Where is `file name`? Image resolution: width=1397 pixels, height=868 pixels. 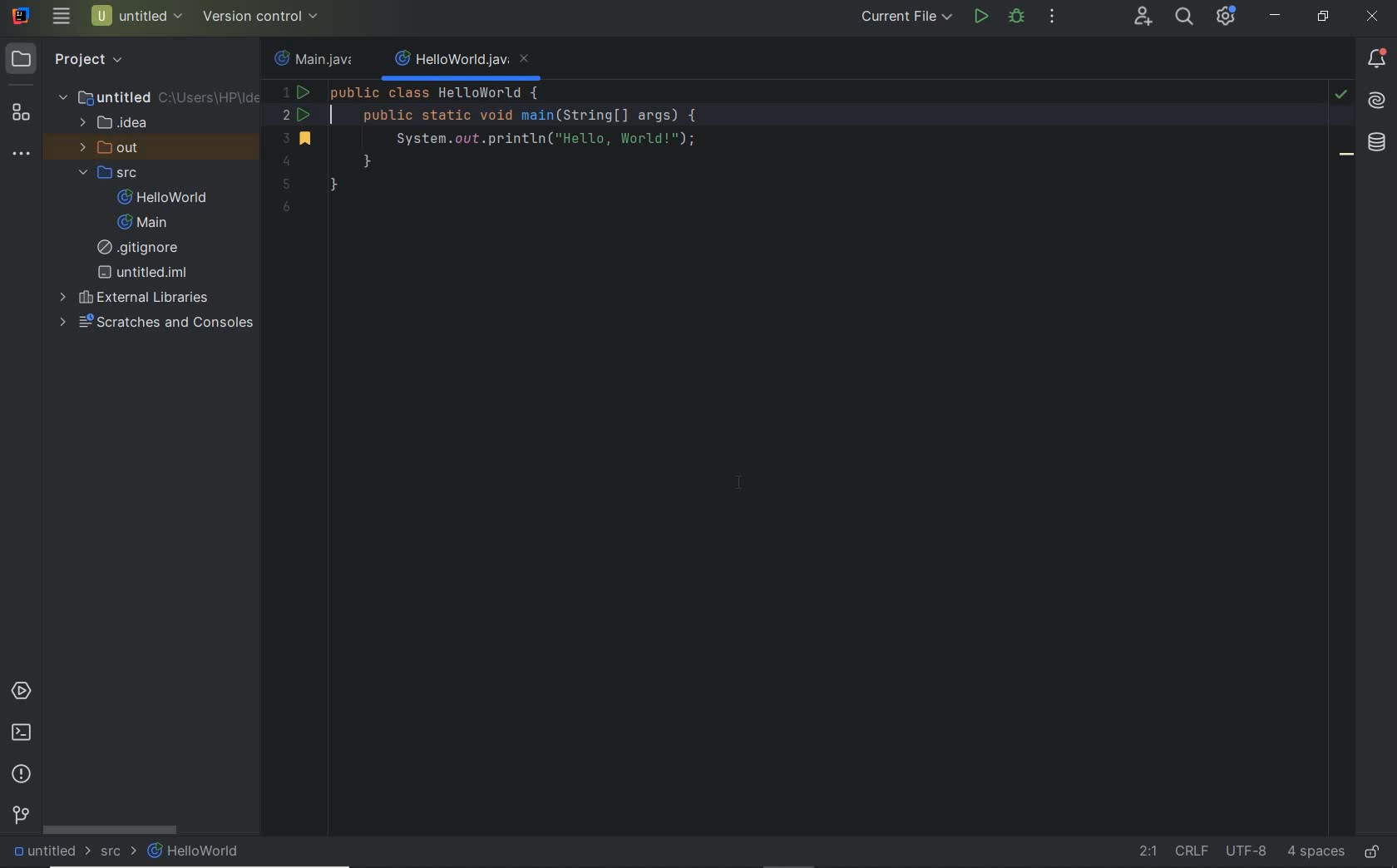
file name is located at coordinates (318, 57).